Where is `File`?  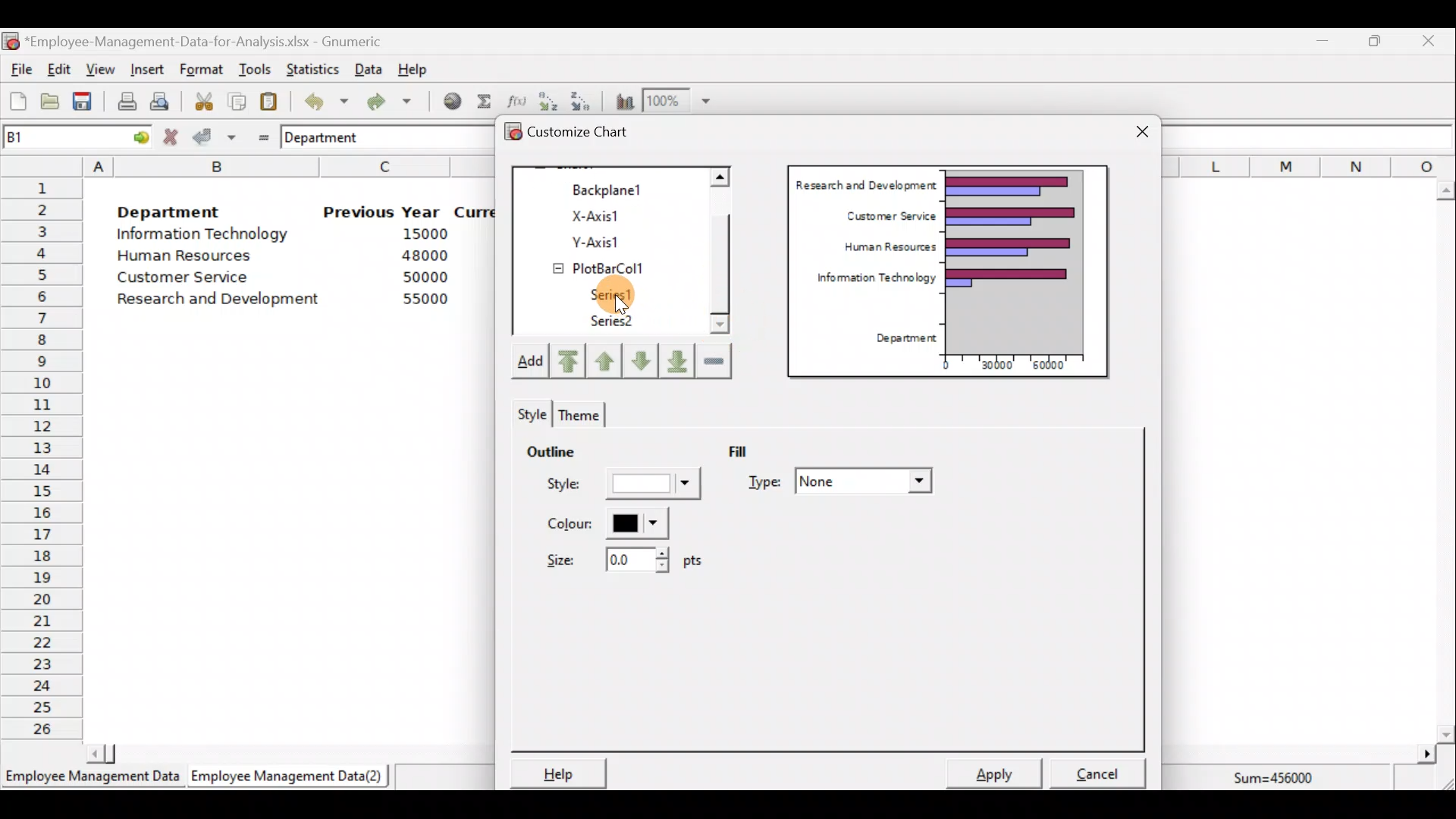 File is located at coordinates (19, 70).